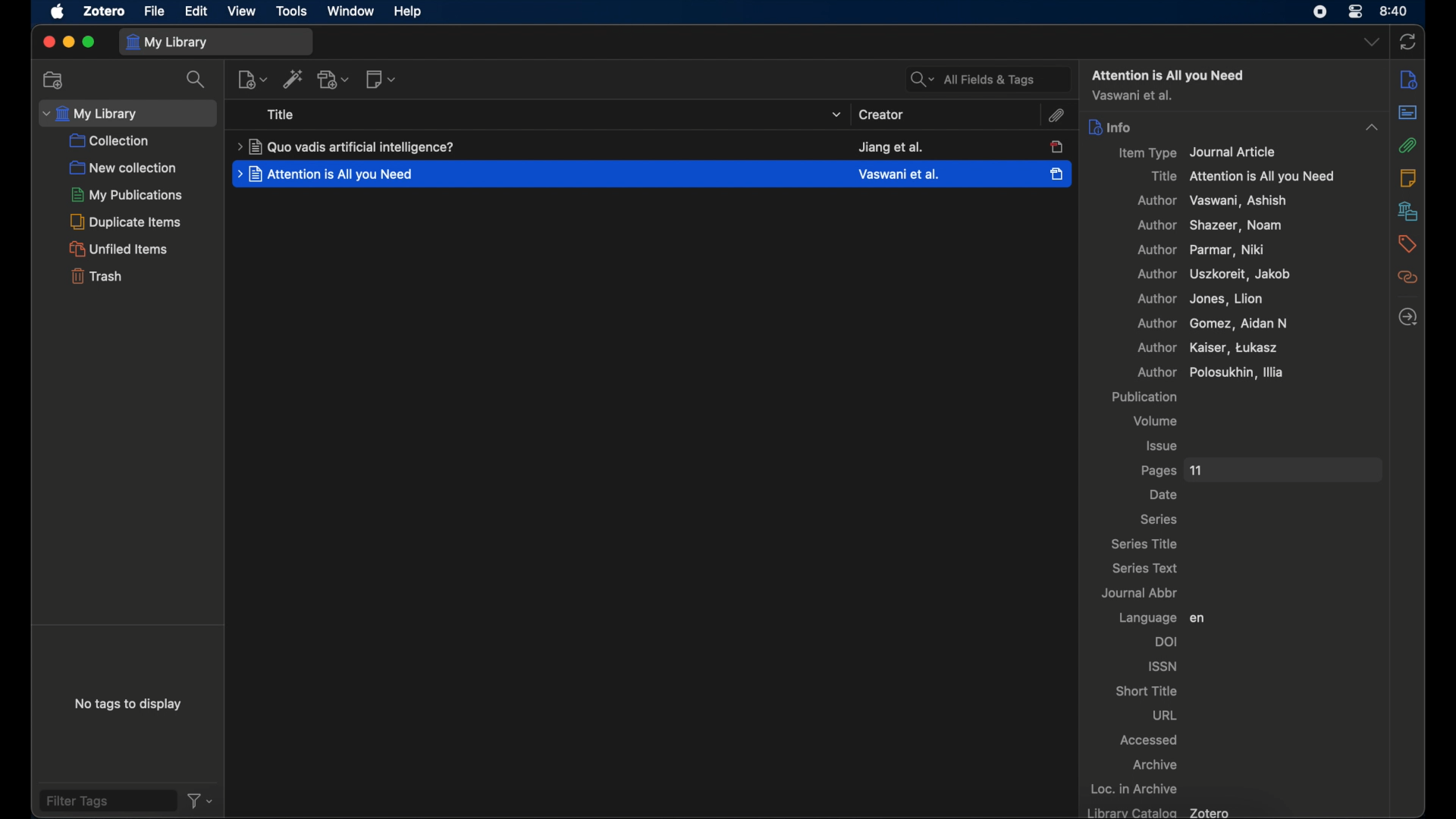 Image resolution: width=1456 pixels, height=819 pixels. I want to click on series, so click(1160, 519).